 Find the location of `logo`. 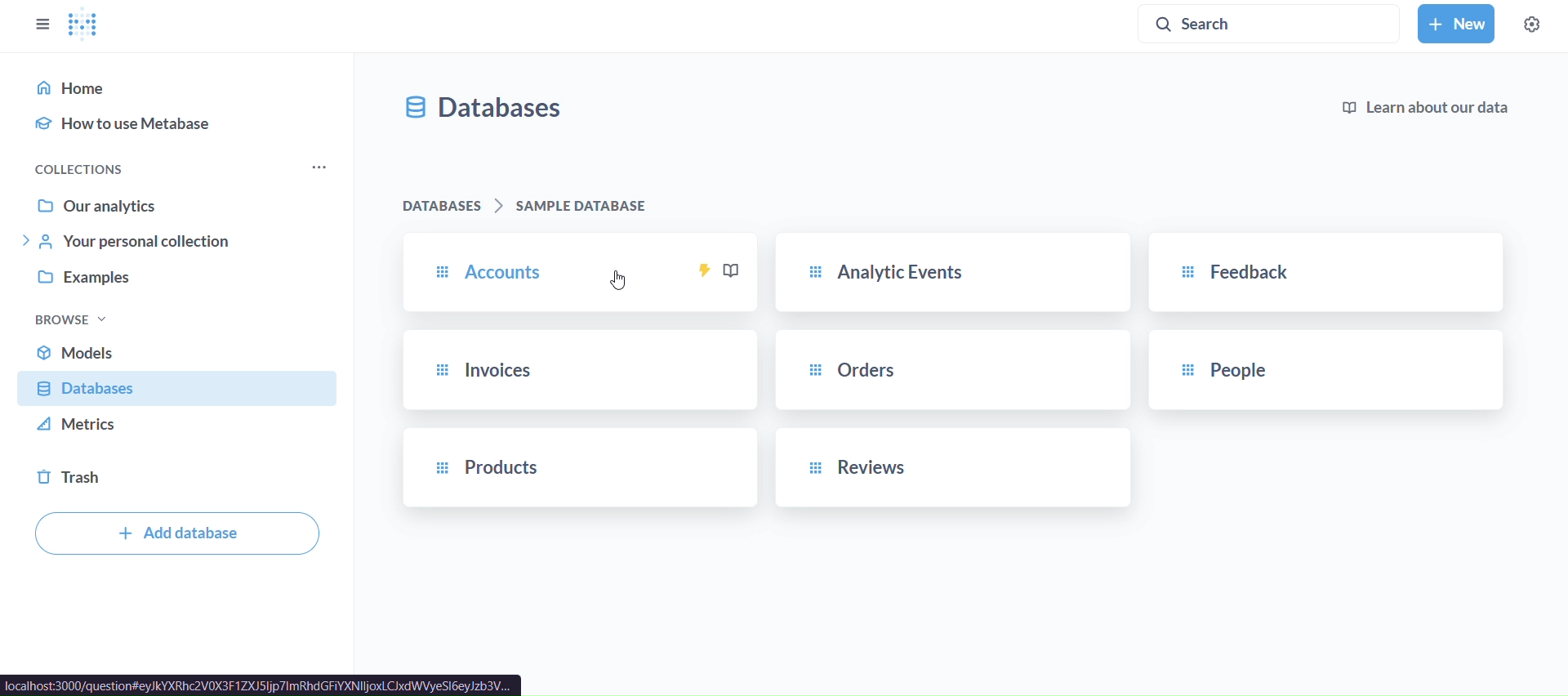

logo is located at coordinates (84, 27).